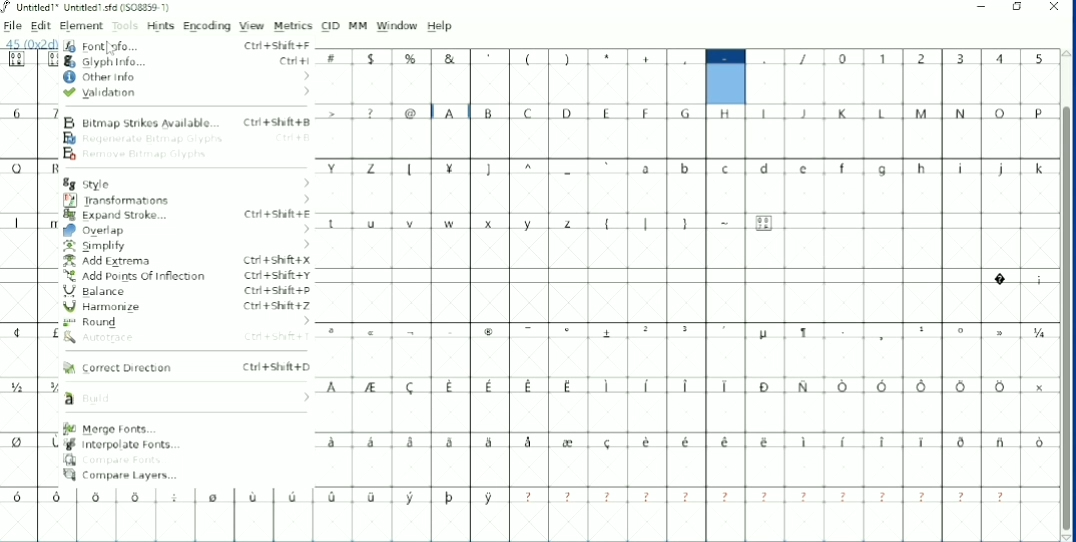 The image size is (1076, 542). What do you see at coordinates (371, 113) in the screenshot?
I see `Symbols` at bounding box center [371, 113].